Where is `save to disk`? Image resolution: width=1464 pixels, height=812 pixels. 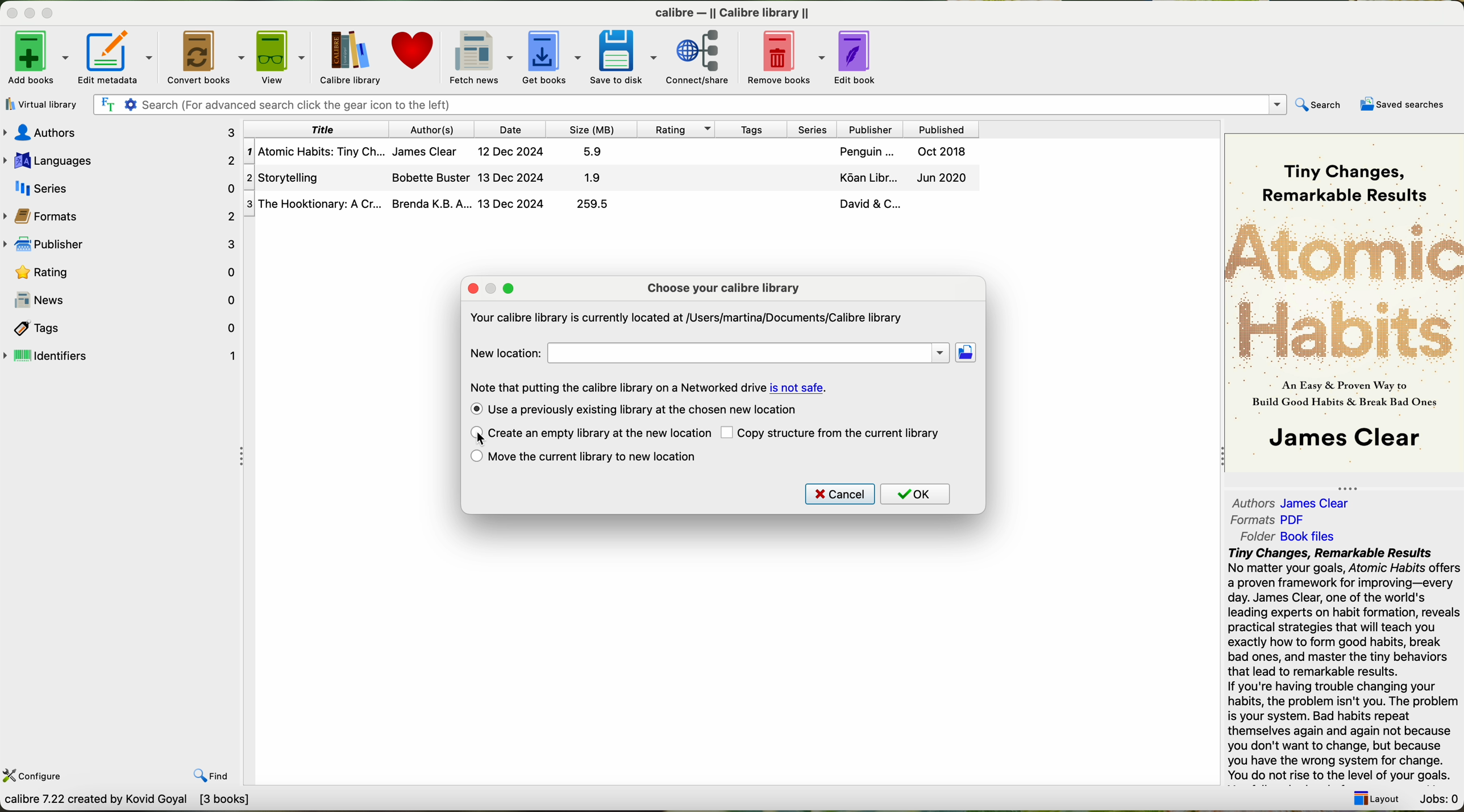 save to disk is located at coordinates (624, 56).